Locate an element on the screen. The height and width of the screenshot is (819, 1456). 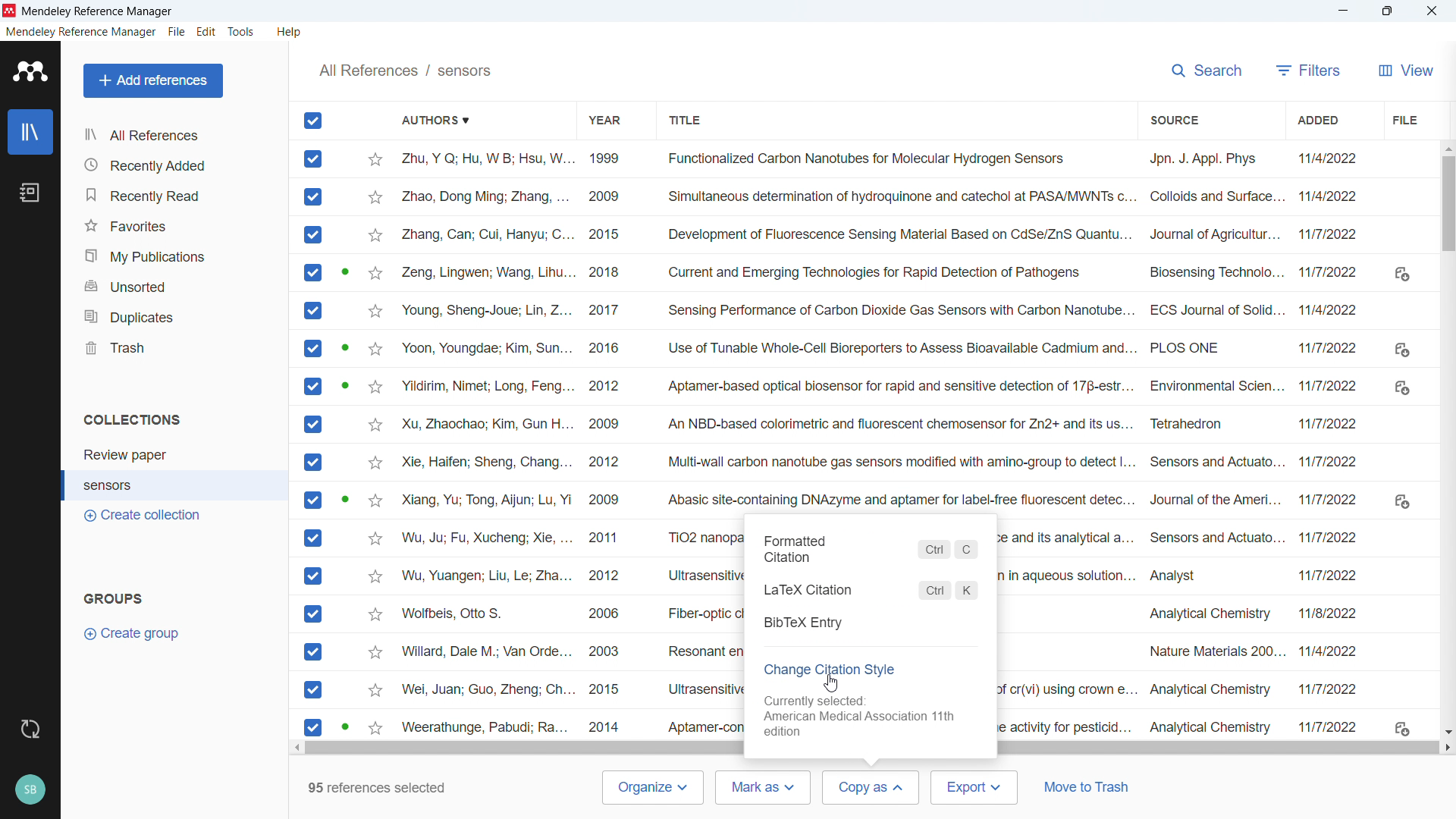
tools is located at coordinates (241, 31).